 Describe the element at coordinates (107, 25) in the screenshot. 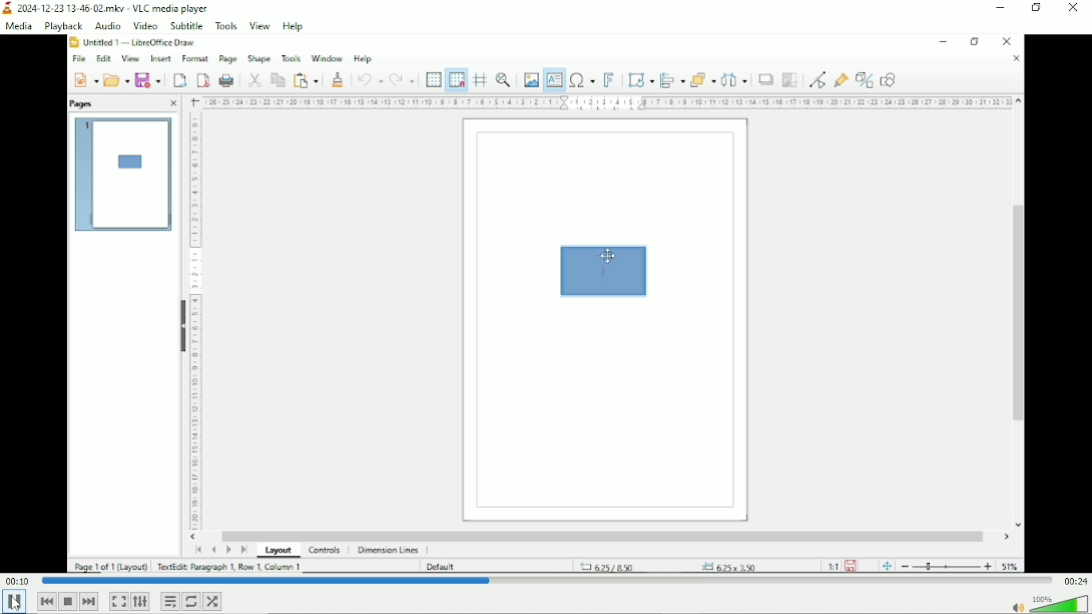

I see `Audio` at that location.